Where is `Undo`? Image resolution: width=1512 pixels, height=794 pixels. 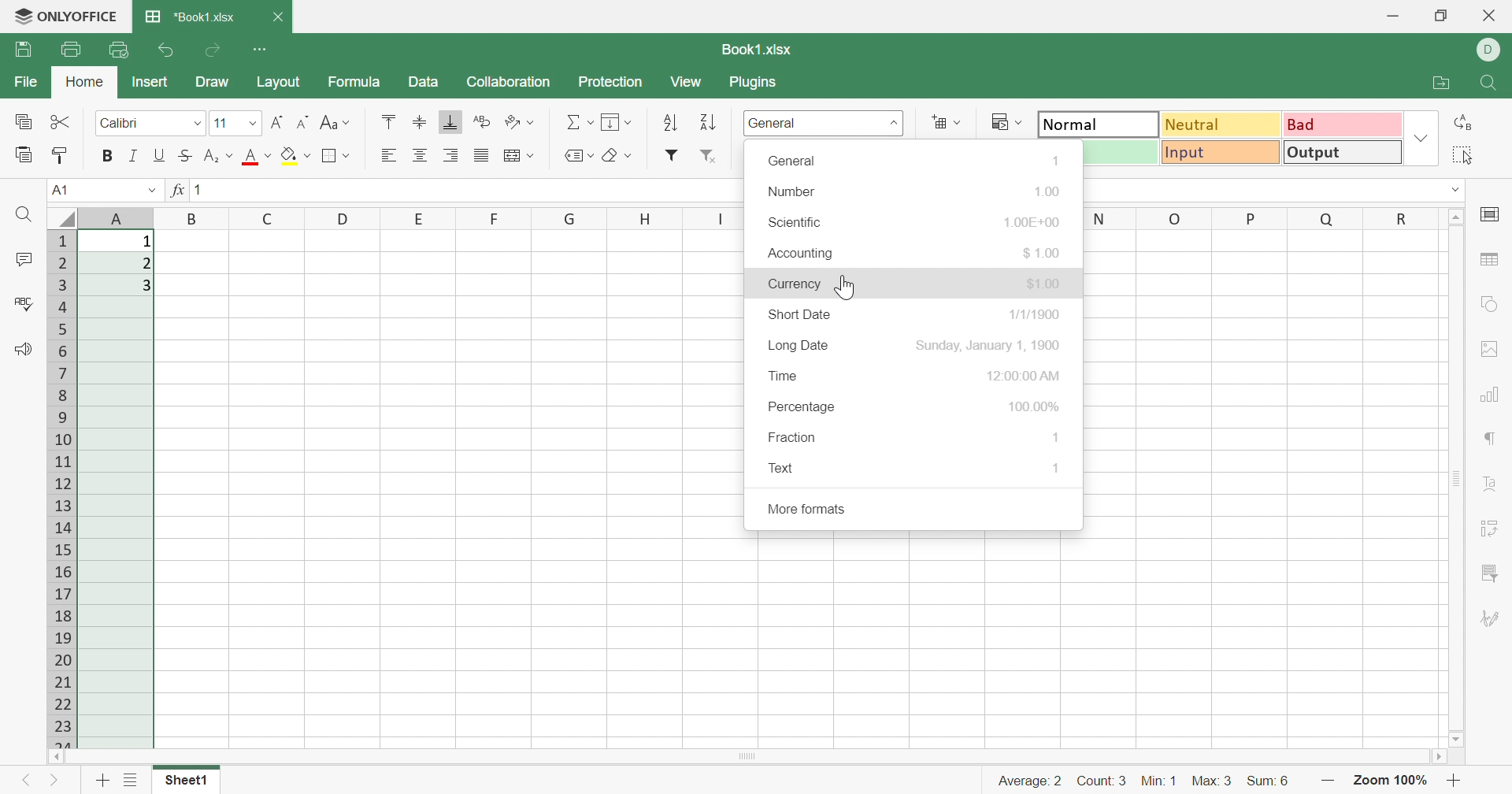
Undo is located at coordinates (169, 52).